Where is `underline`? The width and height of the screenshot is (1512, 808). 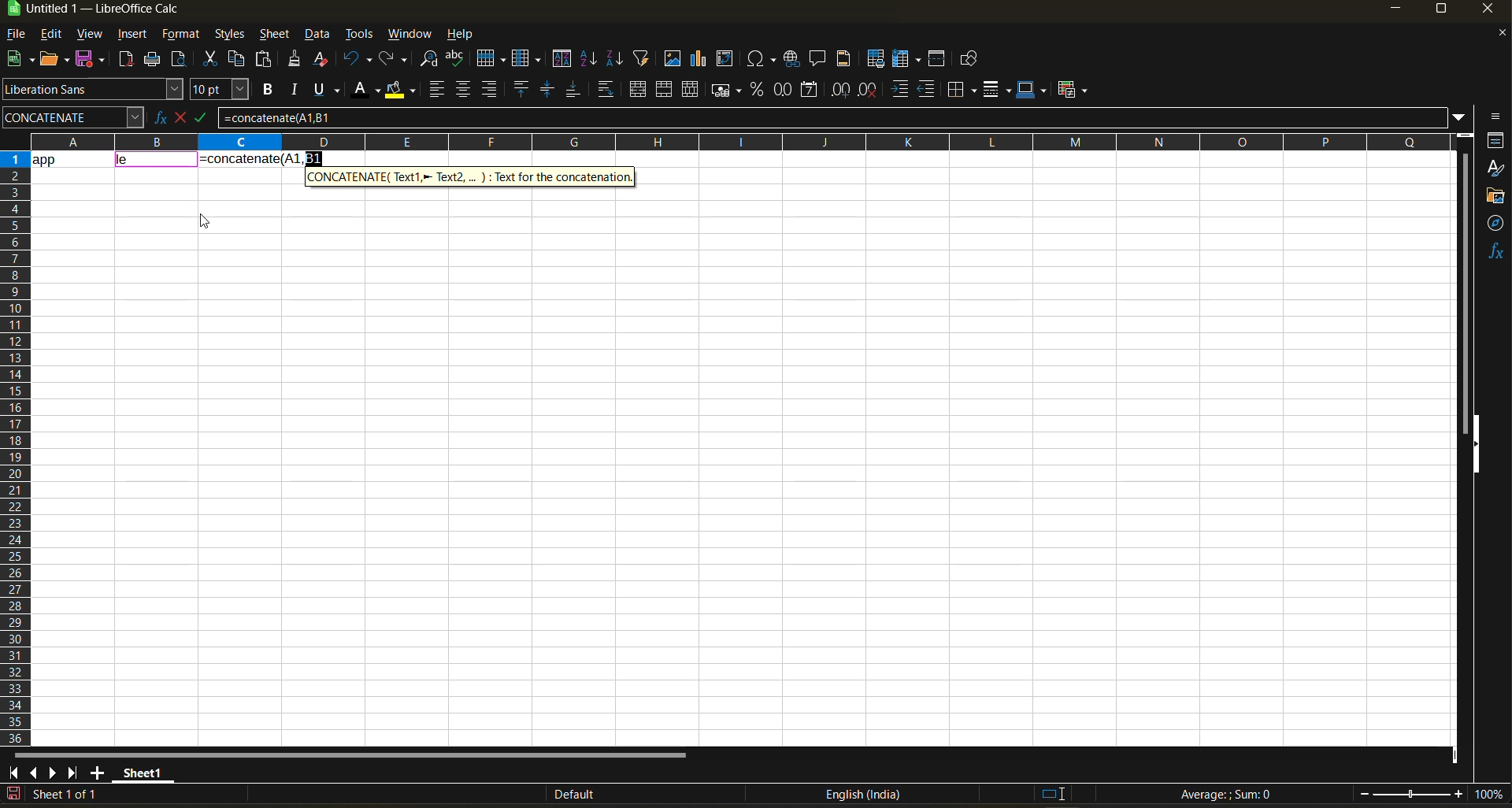
underline is located at coordinates (331, 89).